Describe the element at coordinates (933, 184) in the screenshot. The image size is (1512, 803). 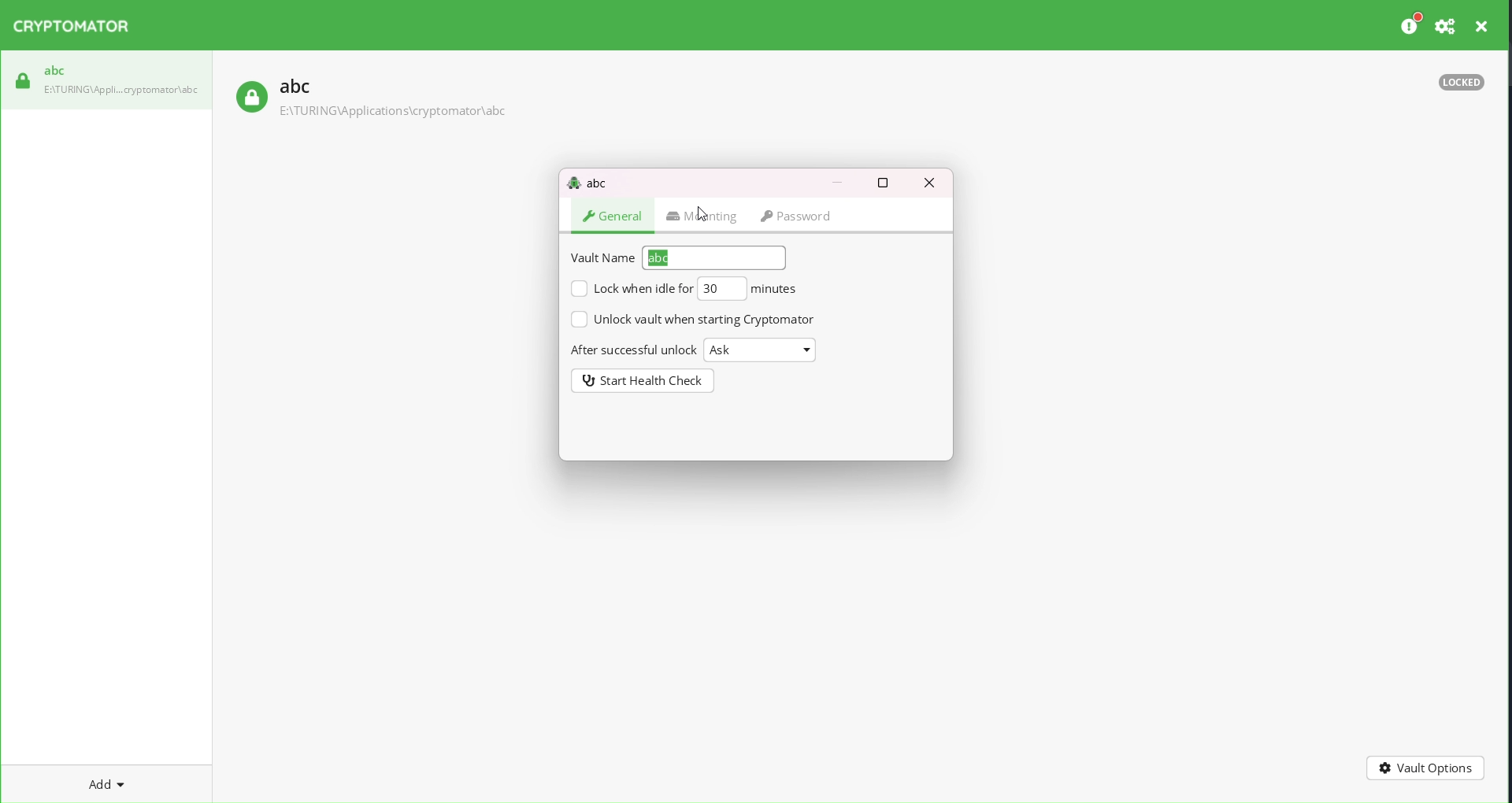
I see `close dialog` at that location.